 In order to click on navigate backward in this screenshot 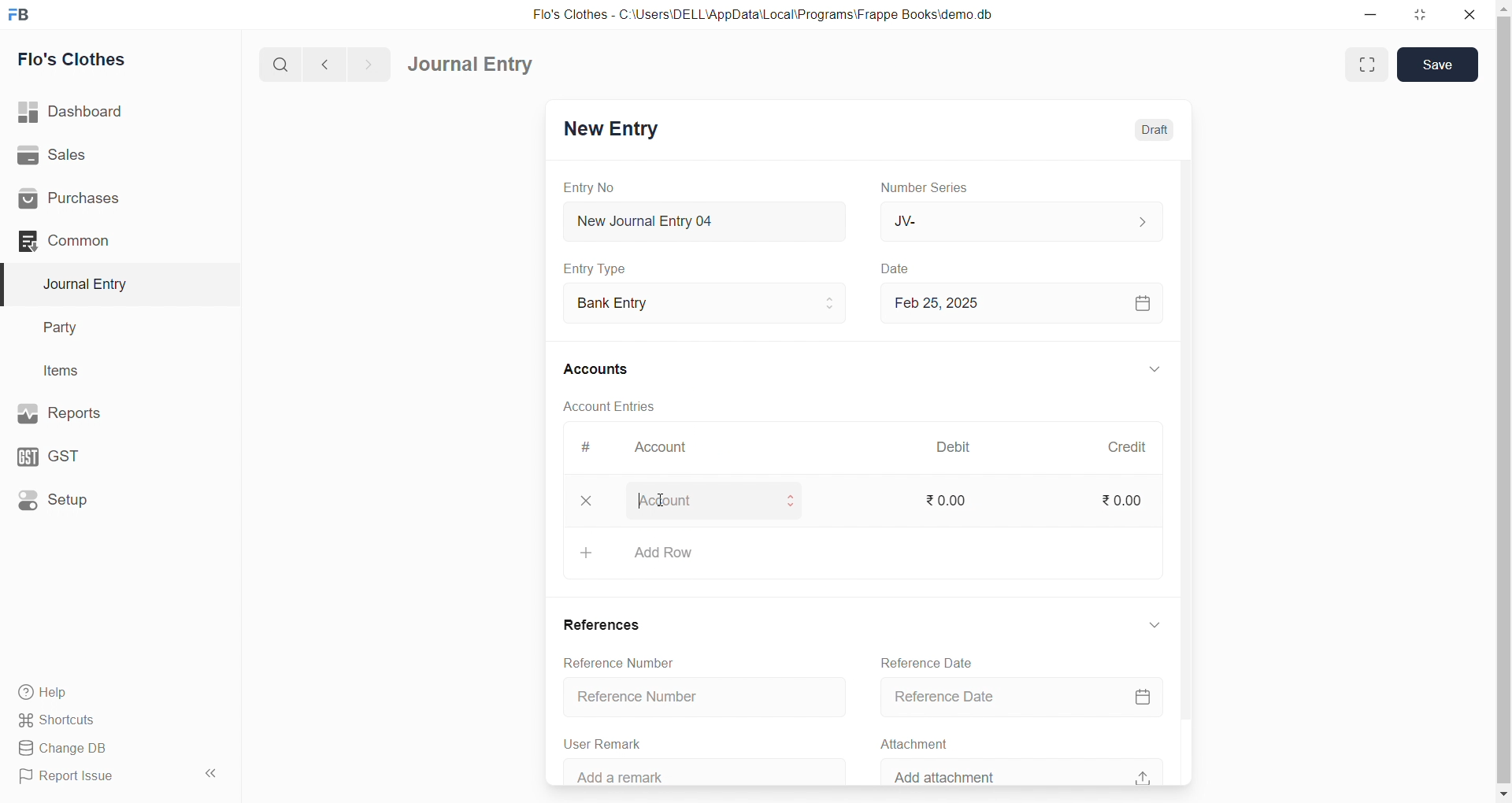, I will do `click(332, 62)`.